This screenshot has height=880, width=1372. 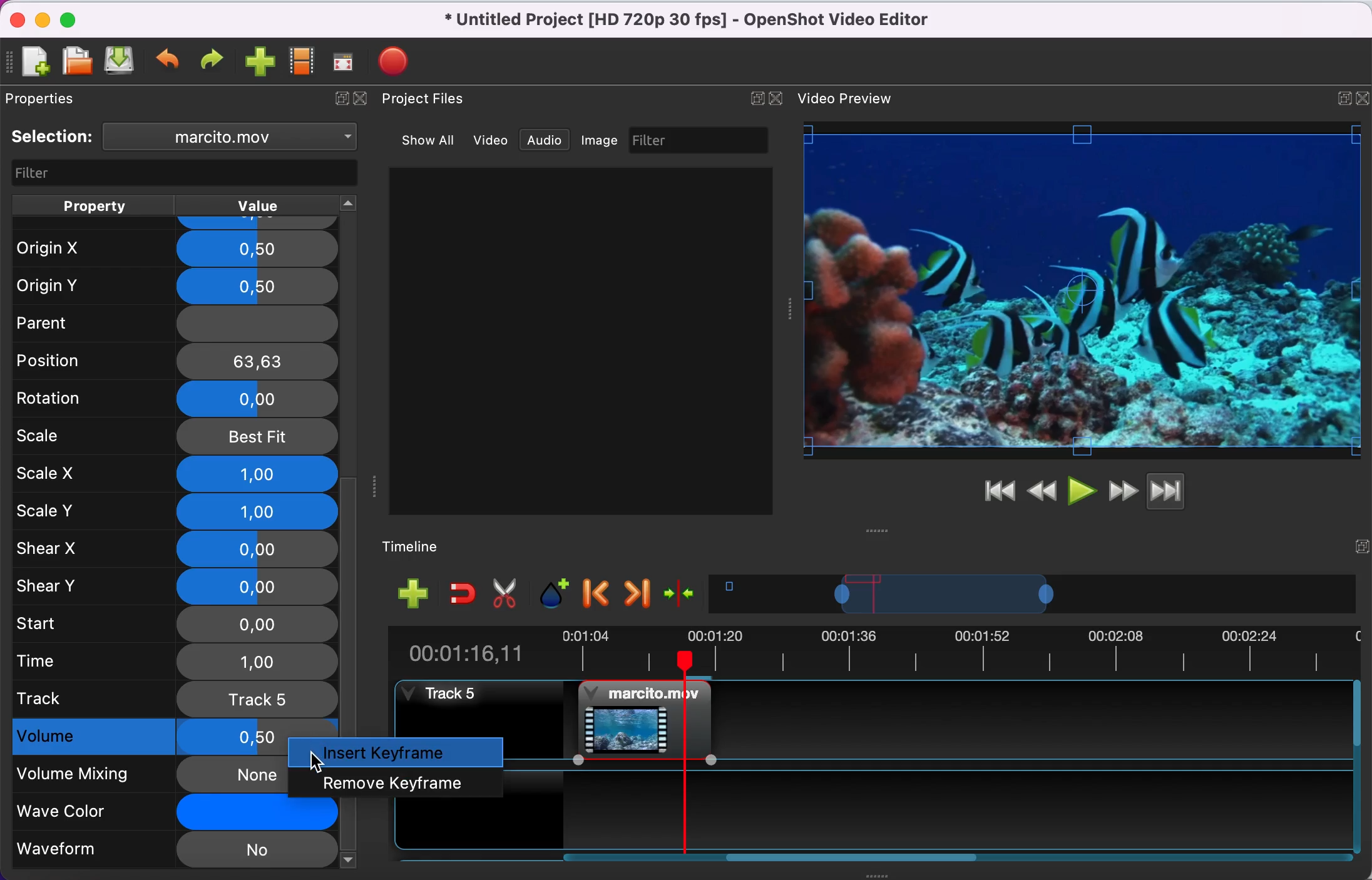 What do you see at coordinates (176, 511) in the screenshot?
I see `scale y 1` at bounding box center [176, 511].